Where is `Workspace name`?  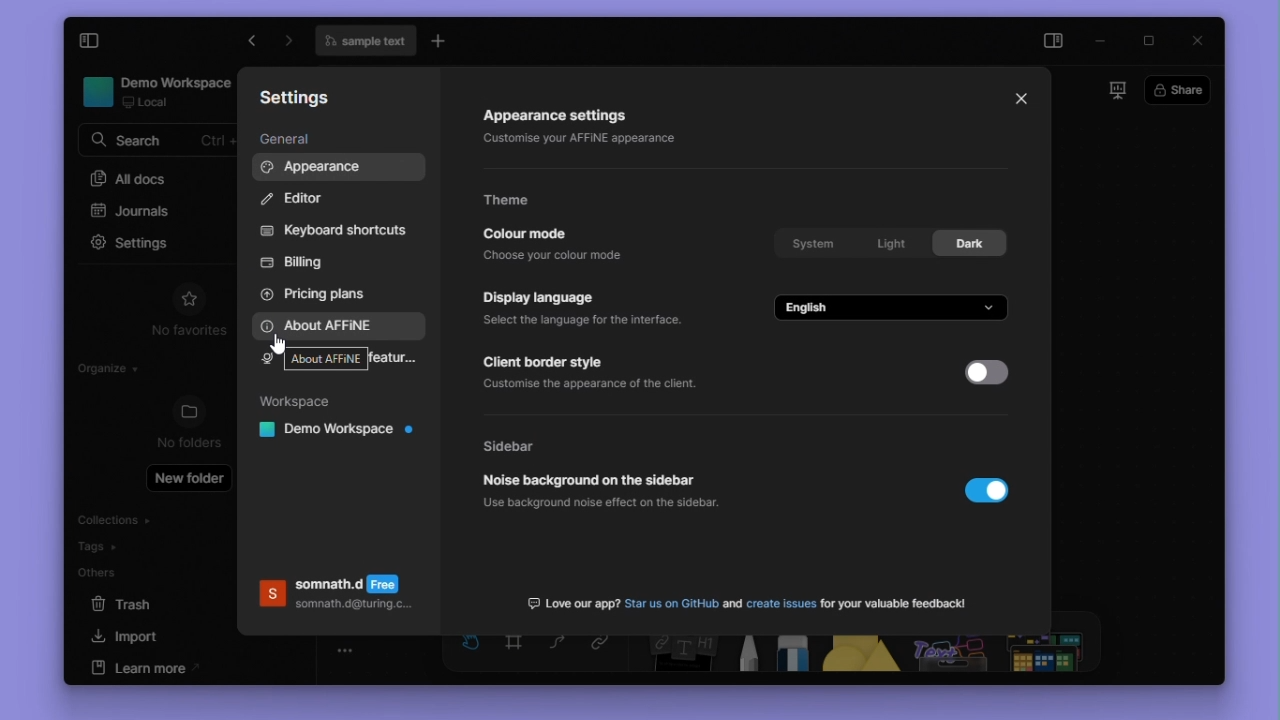 Workspace name is located at coordinates (330, 433).